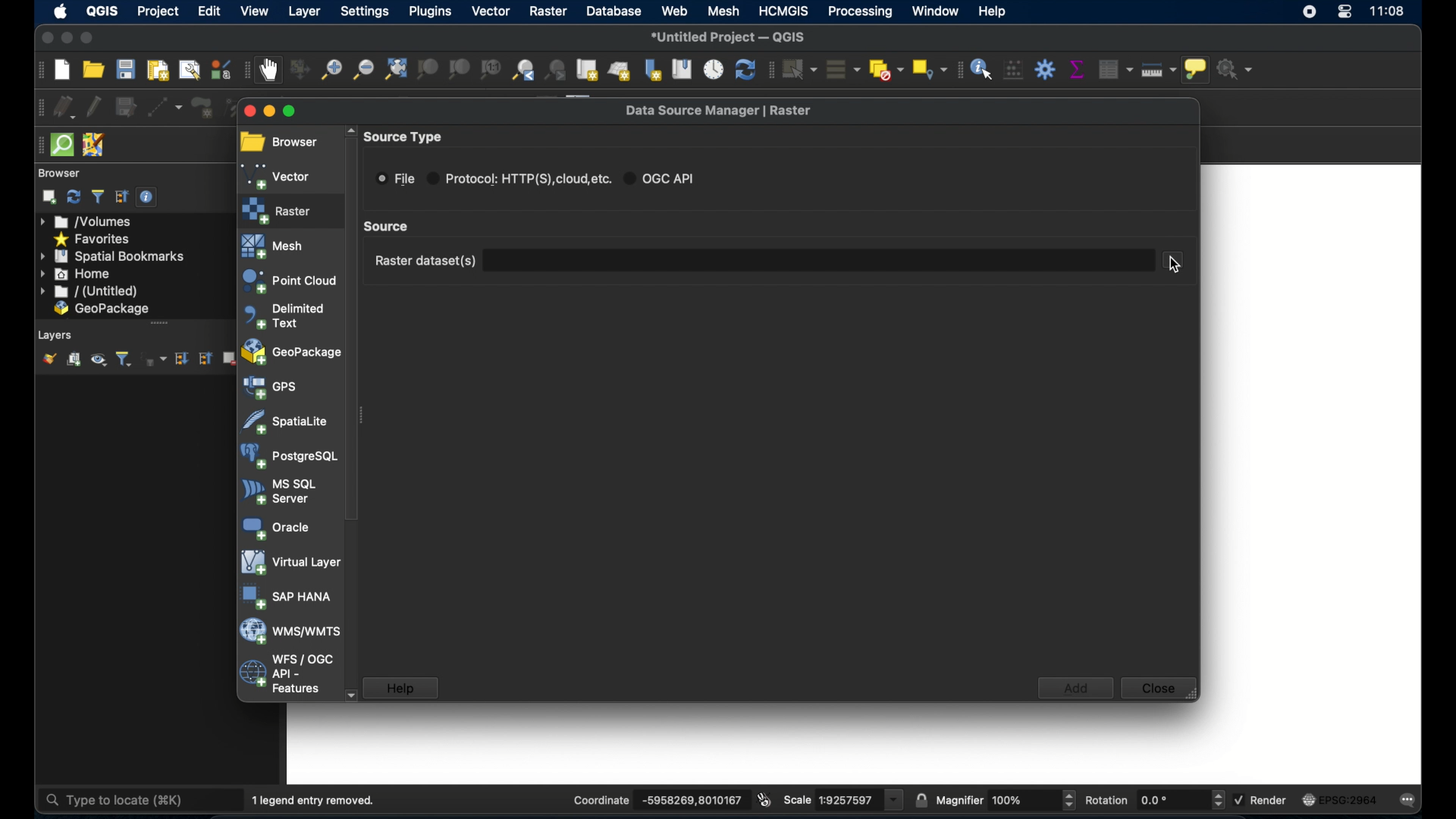 This screenshot has height=819, width=1456. Describe the element at coordinates (959, 799) in the screenshot. I see `magnifier` at that location.